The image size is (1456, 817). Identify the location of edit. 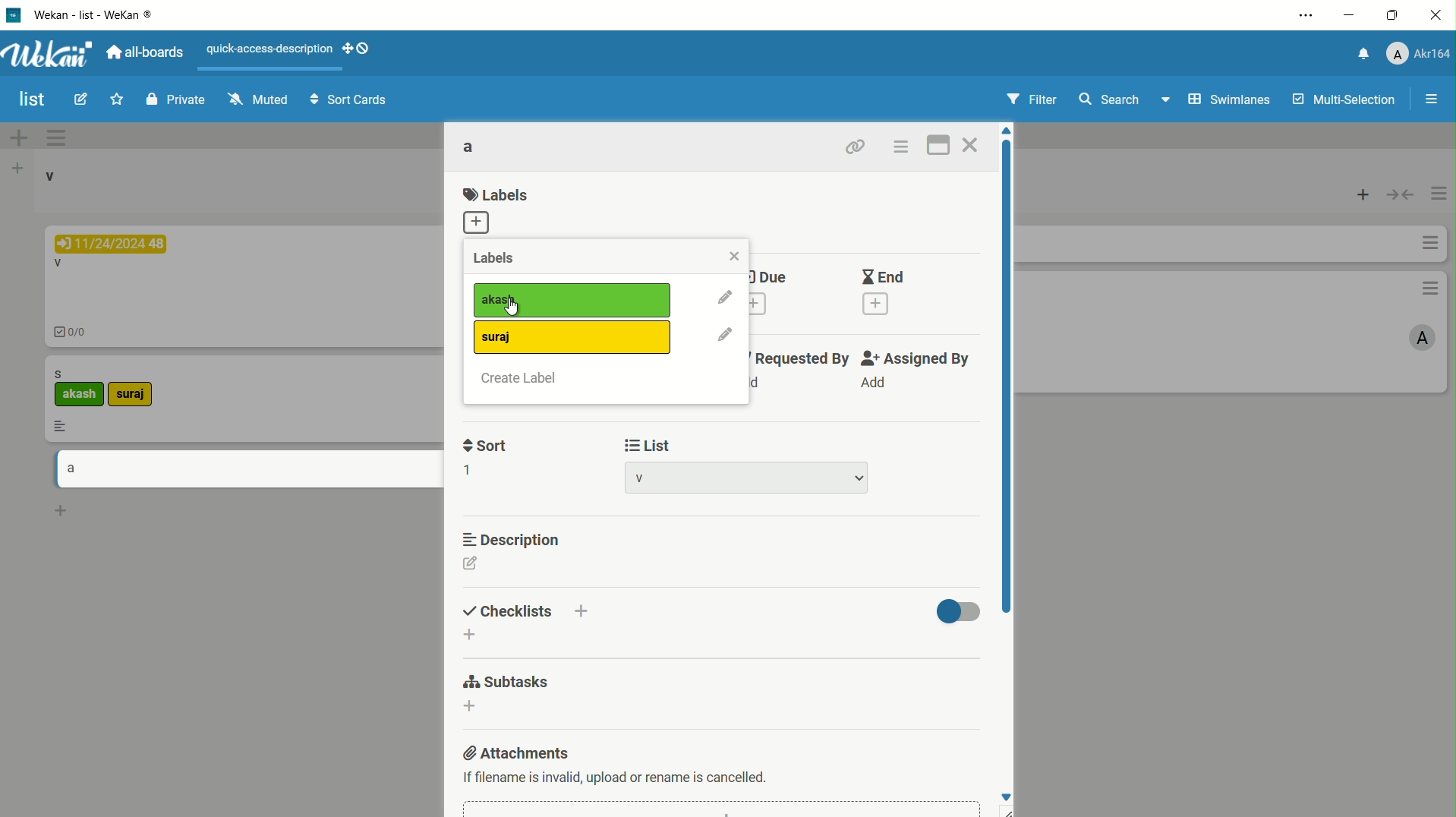
(78, 99).